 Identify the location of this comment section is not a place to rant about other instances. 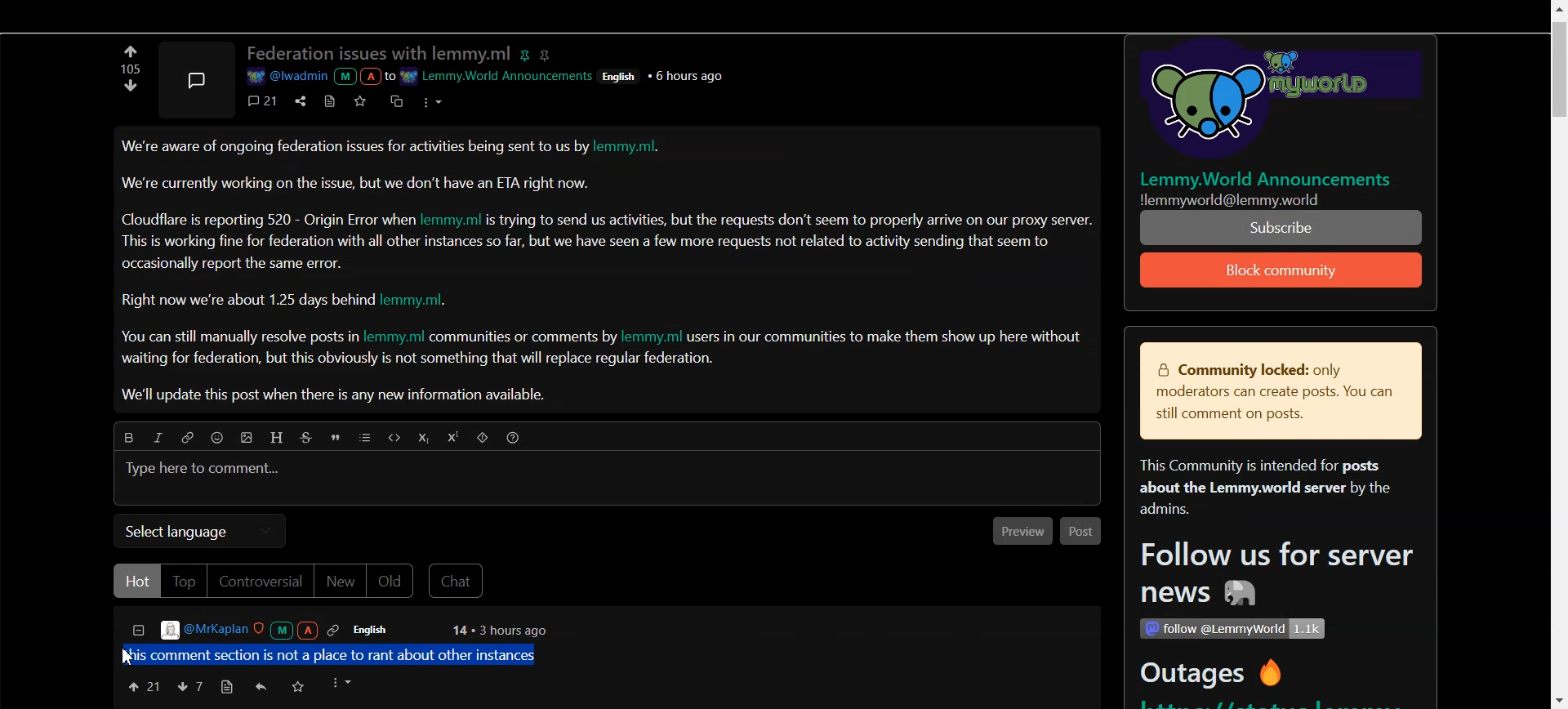
(331, 653).